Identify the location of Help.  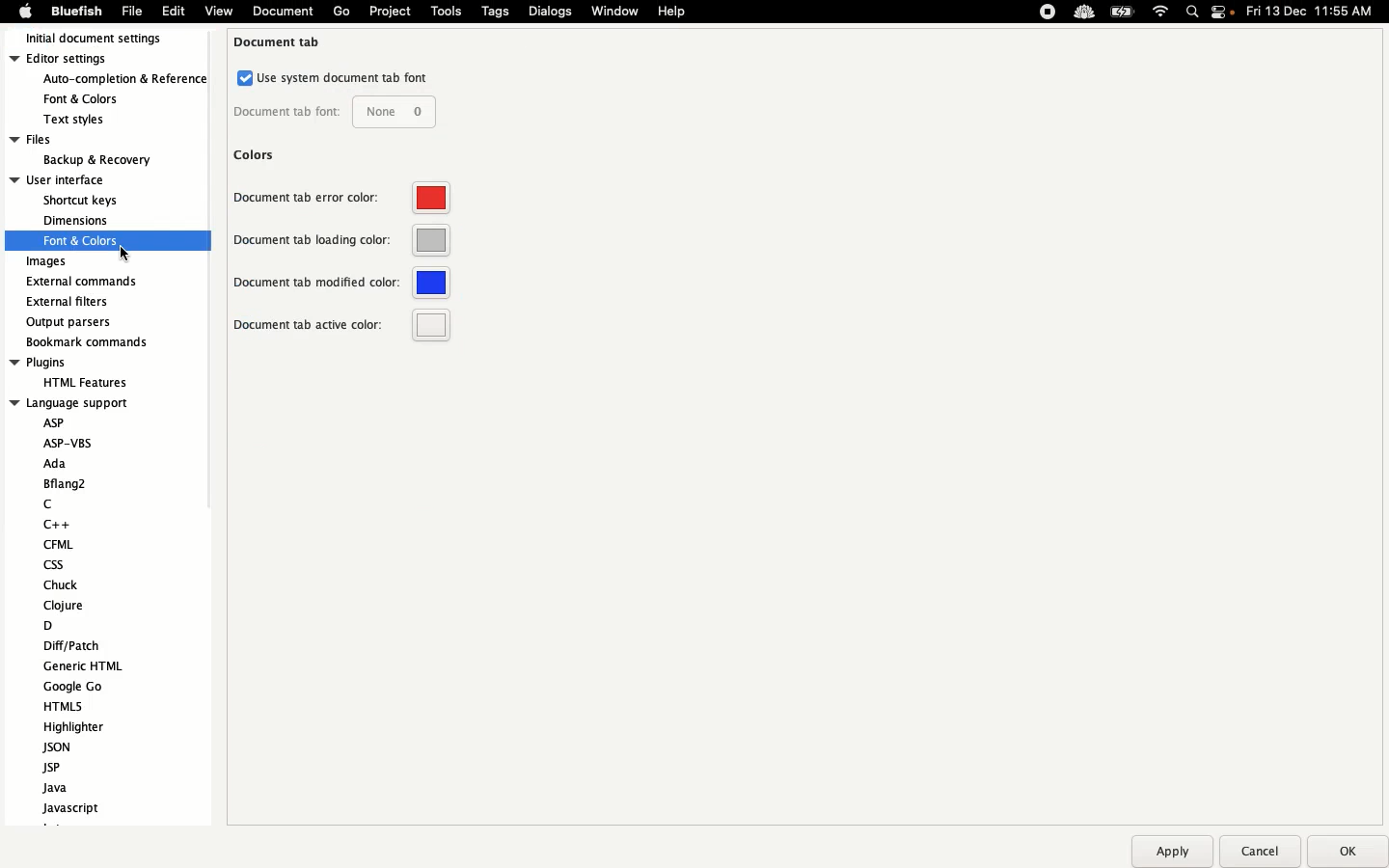
(672, 11).